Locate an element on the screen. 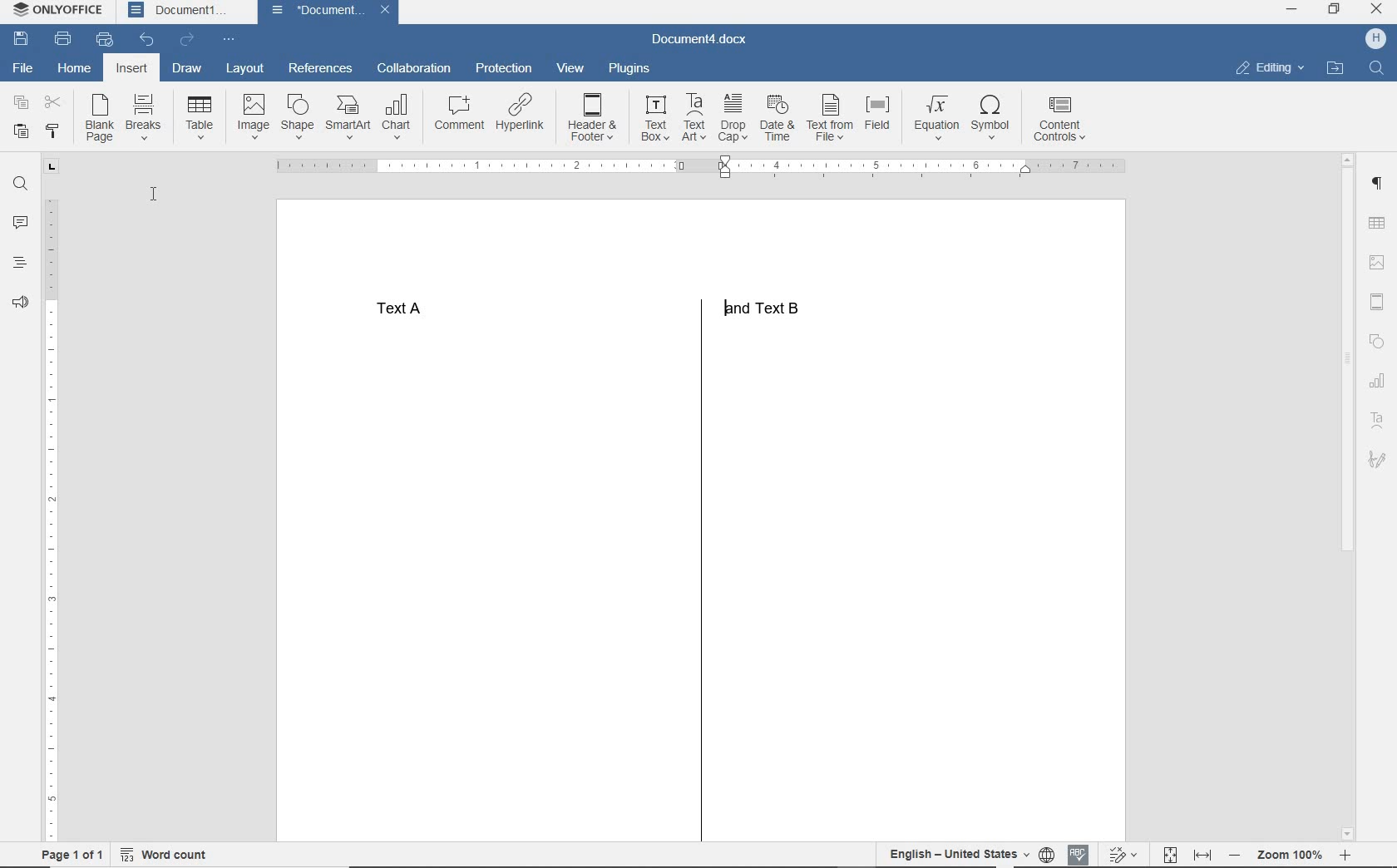 The height and width of the screenshot is (868, 1397). RULER is located at coordinates (54, 520).